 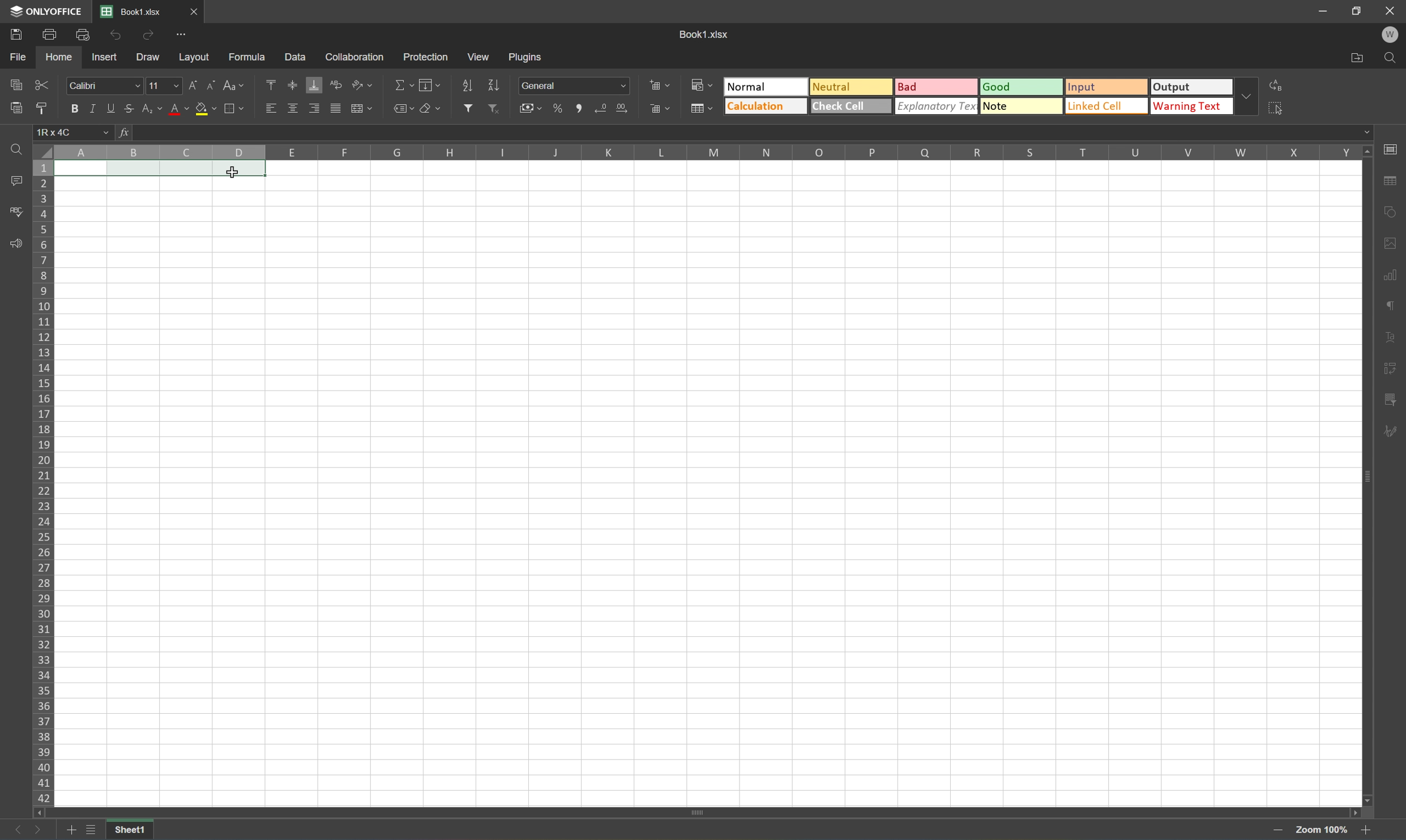 I want to click on Scroll up, so click(x=1367, y=152).